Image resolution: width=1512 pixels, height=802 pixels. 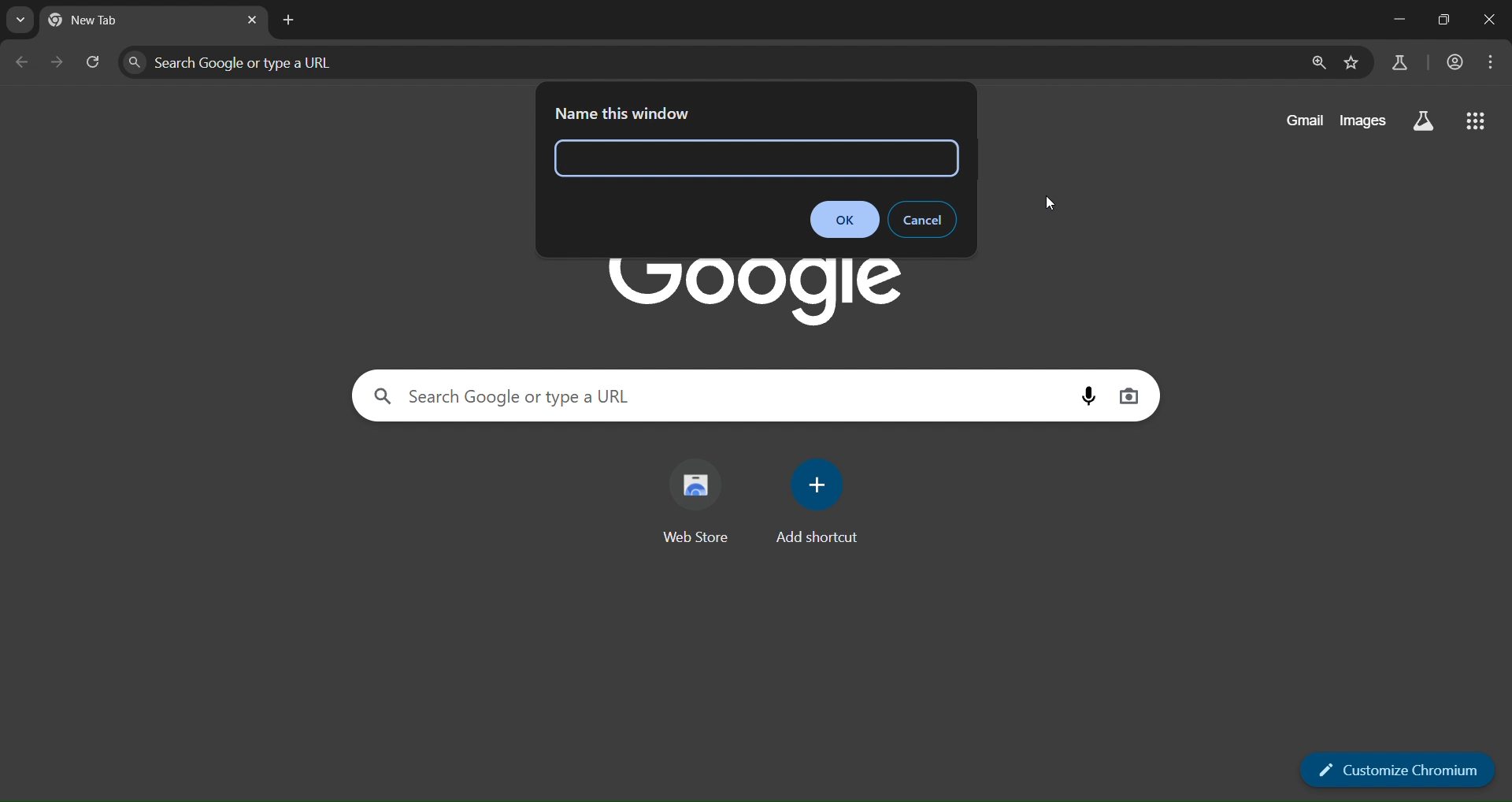 I want to click on search labs, so click(x=1422, y=118).